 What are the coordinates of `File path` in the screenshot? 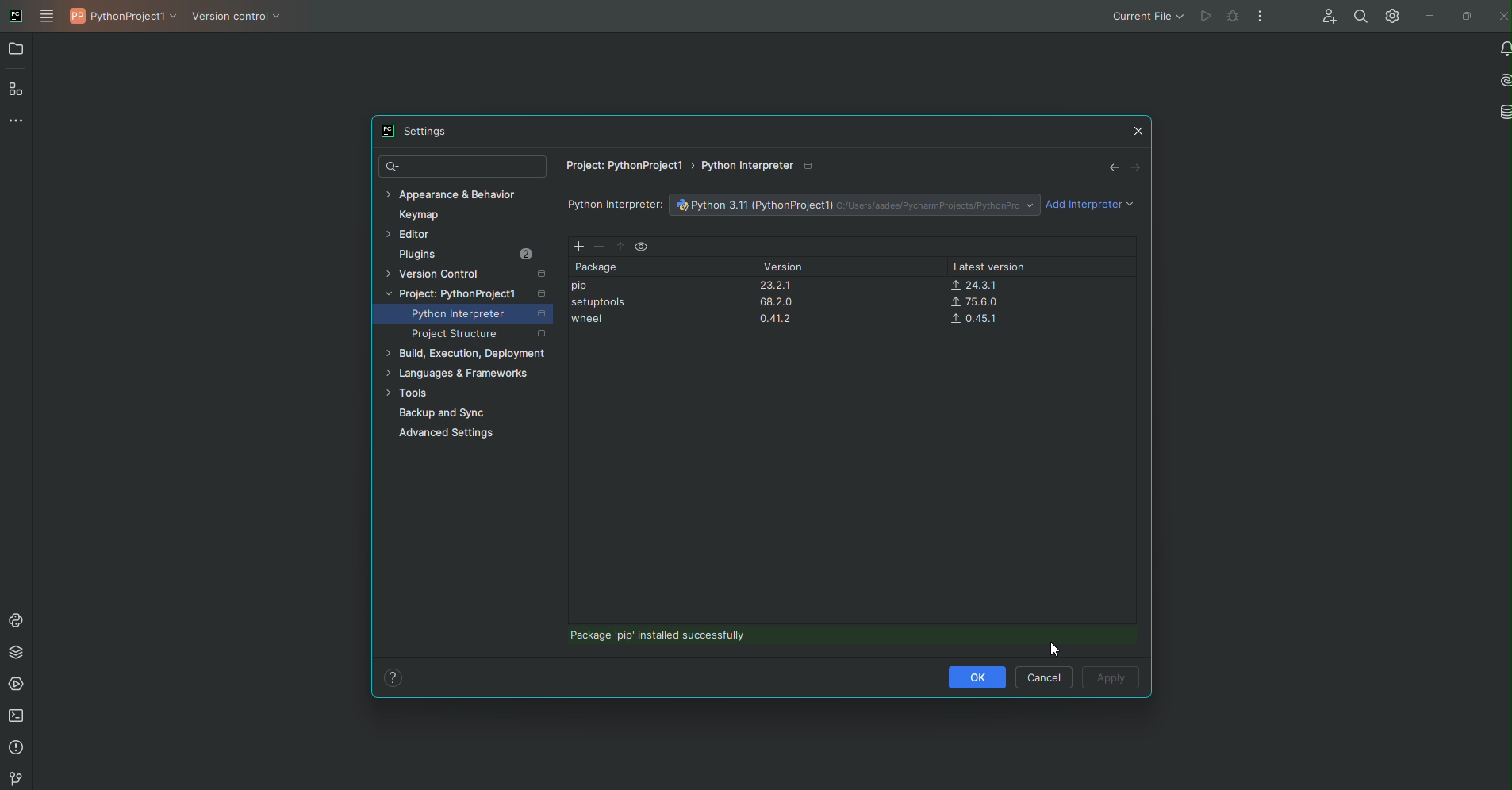 It's located at (696, 169).